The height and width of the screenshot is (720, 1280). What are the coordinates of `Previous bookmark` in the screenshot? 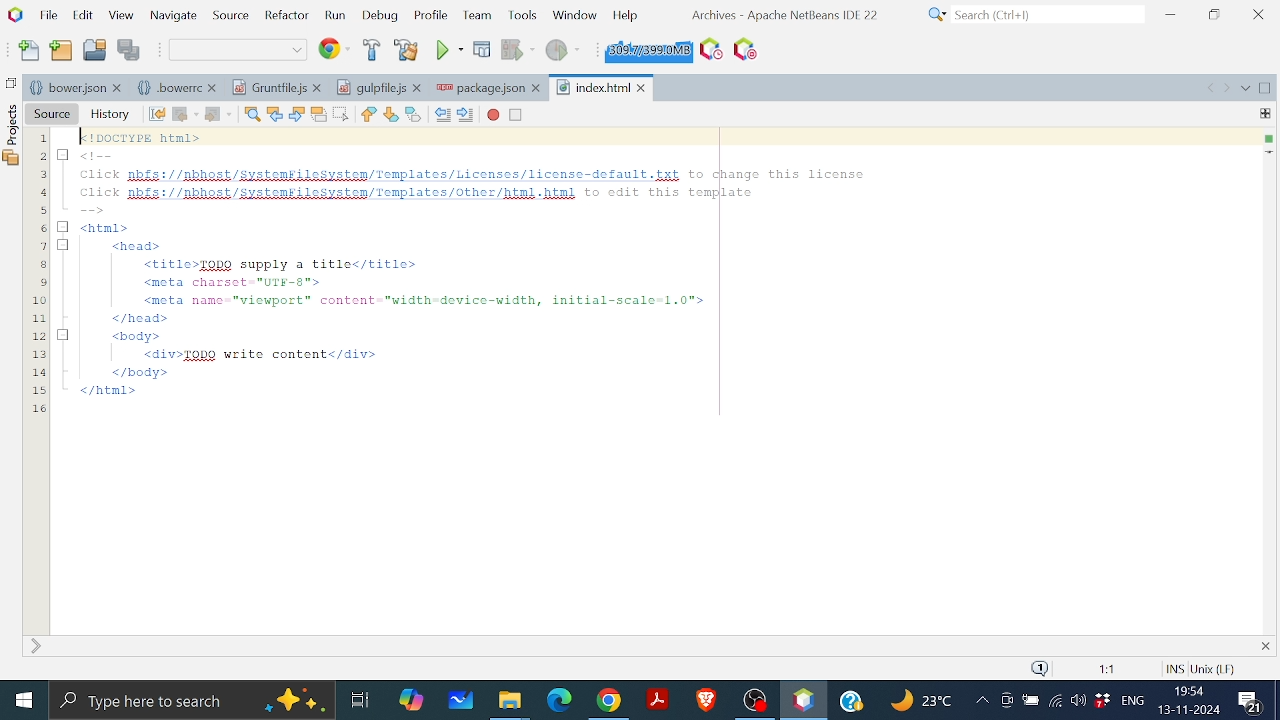 It's located at (369, 114).